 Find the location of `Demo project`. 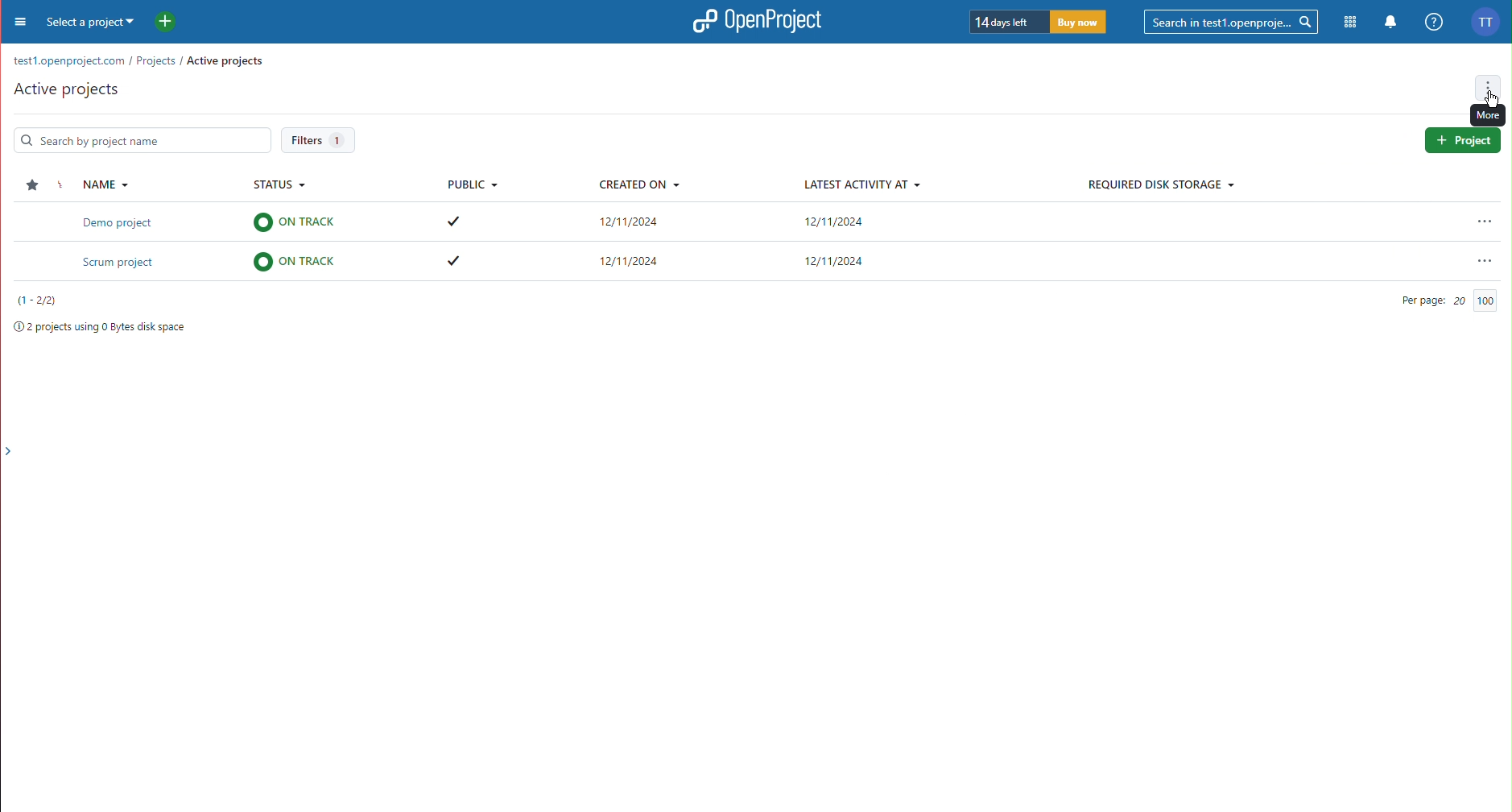

Demo project is located at coordinates (786, 223).